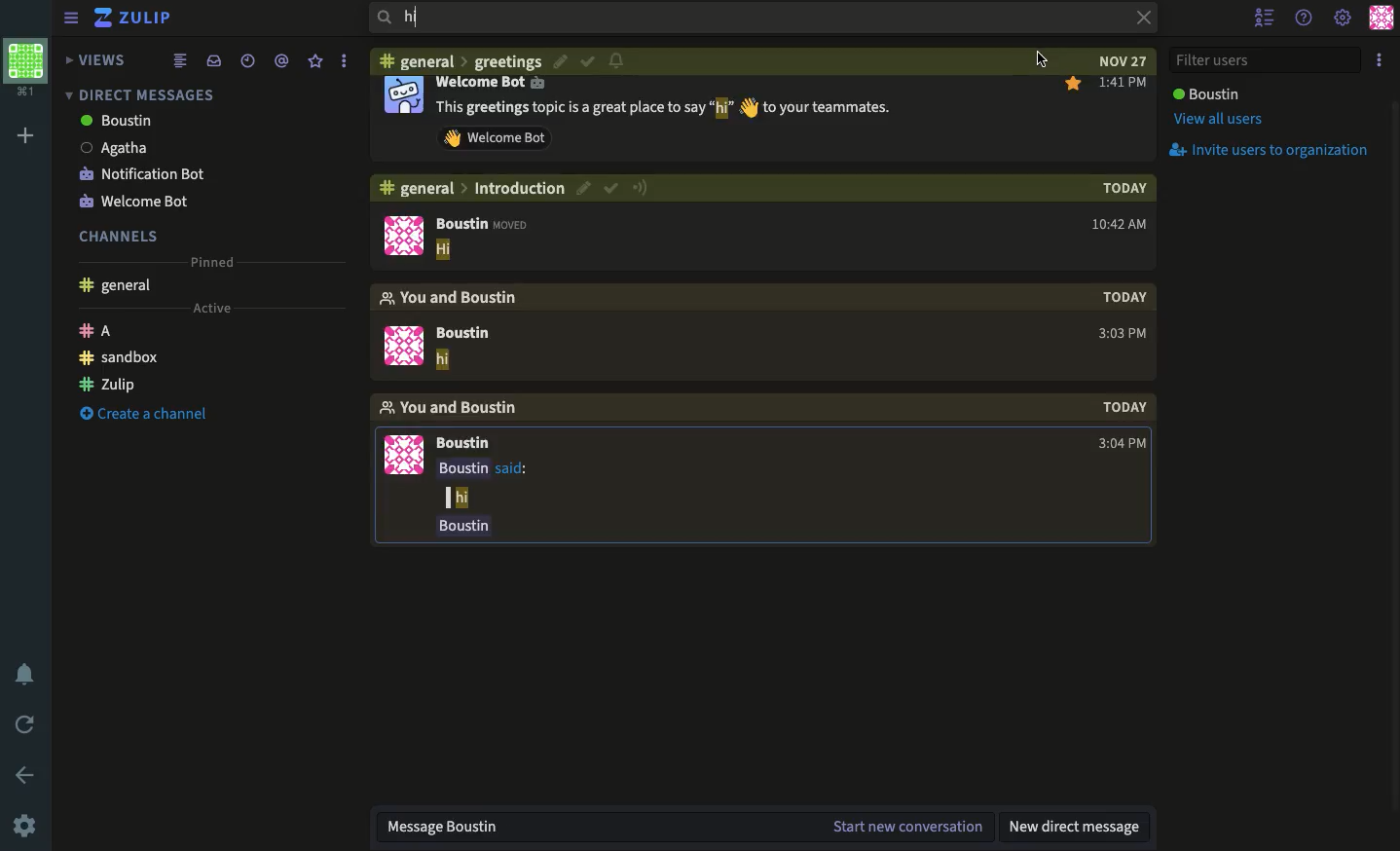 The height and width of the screenshot is (851, 1400). Describe the element at coordinates (450, 298) in the screenshot. I see `you and boustin` at that location.